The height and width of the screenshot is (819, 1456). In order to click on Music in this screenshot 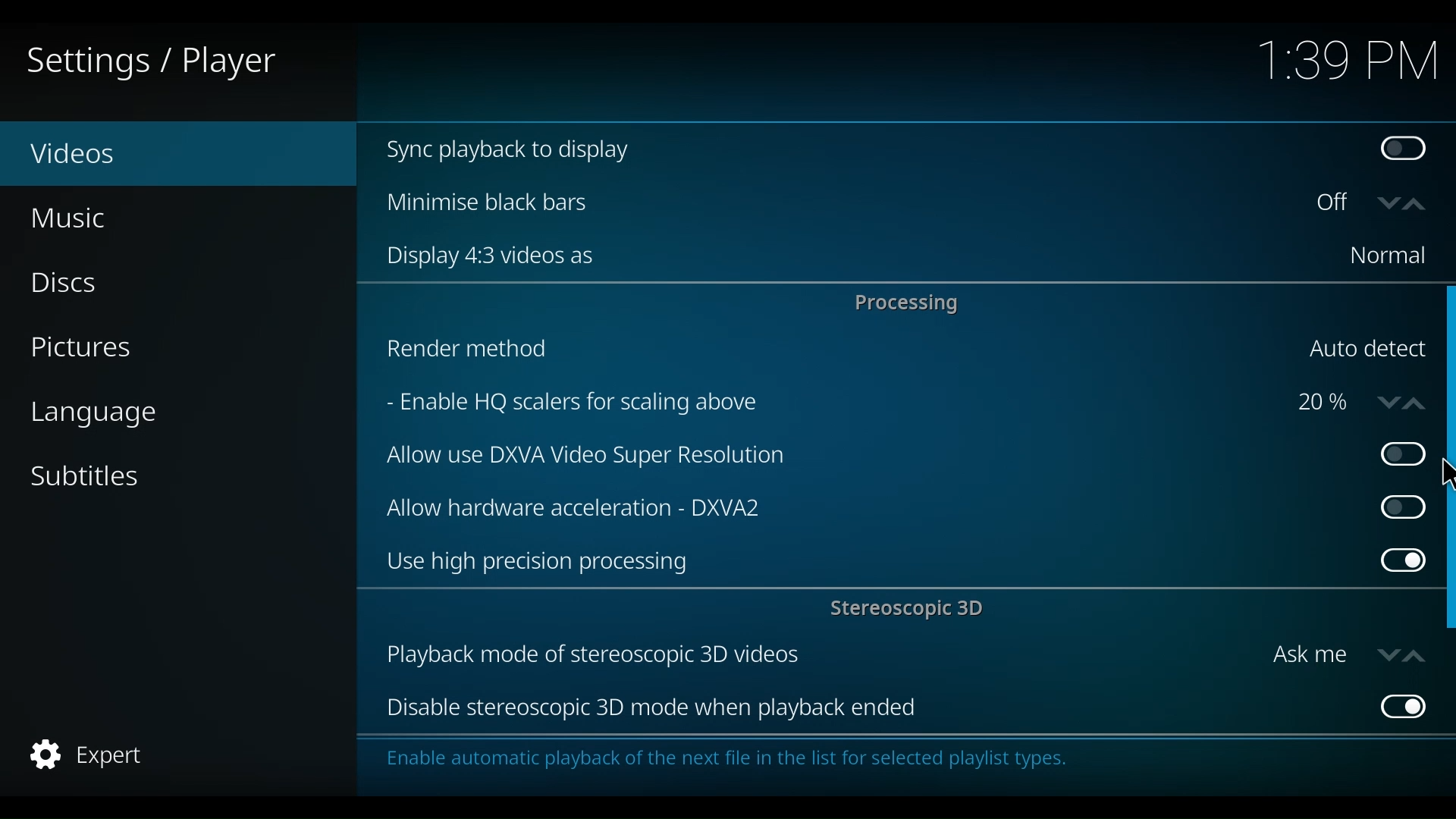, I will do `click(72, 218)`.